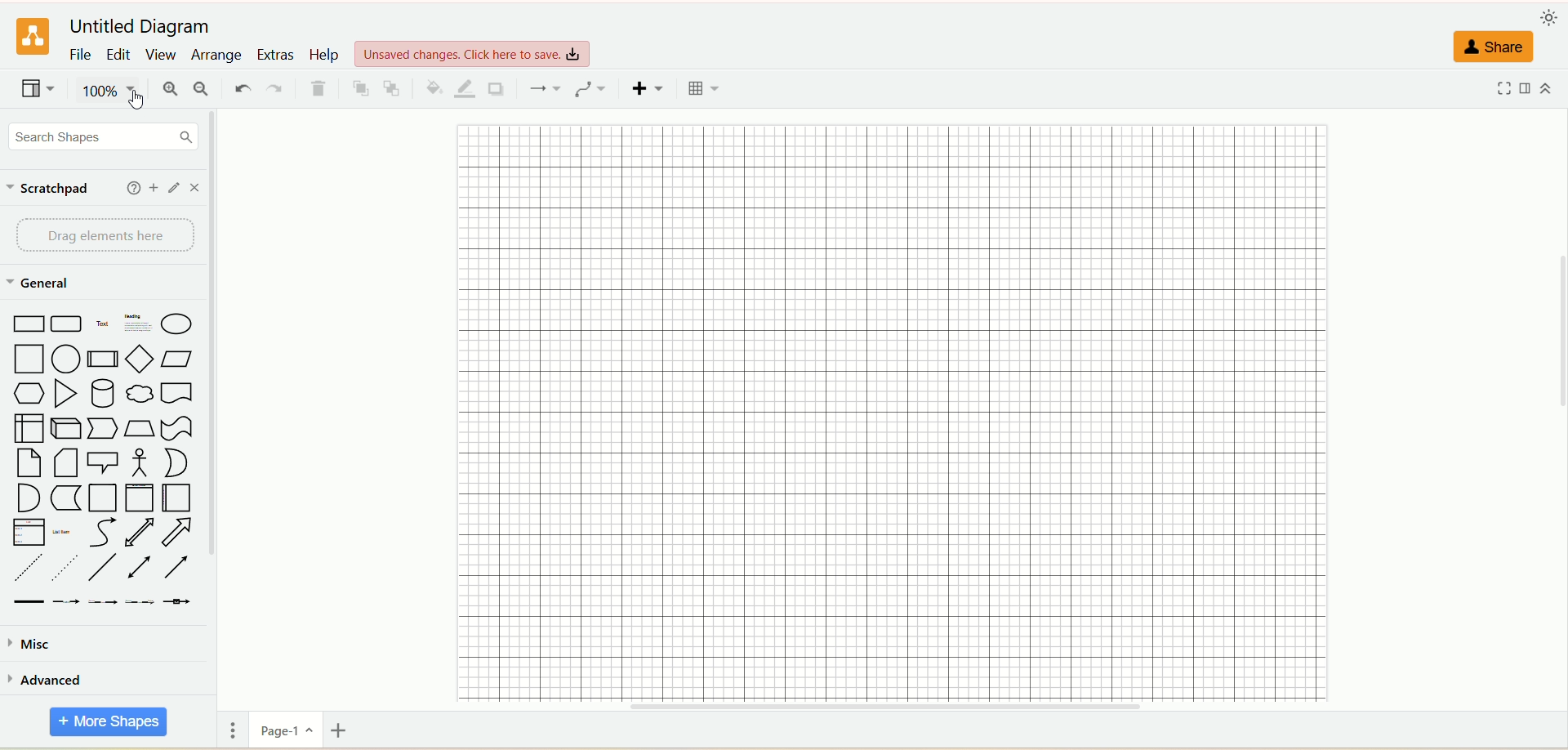 Image resolution: width=1568 pixels, height=750 pixels. I want to click on horizontal scroll bar, so click(896, 709).